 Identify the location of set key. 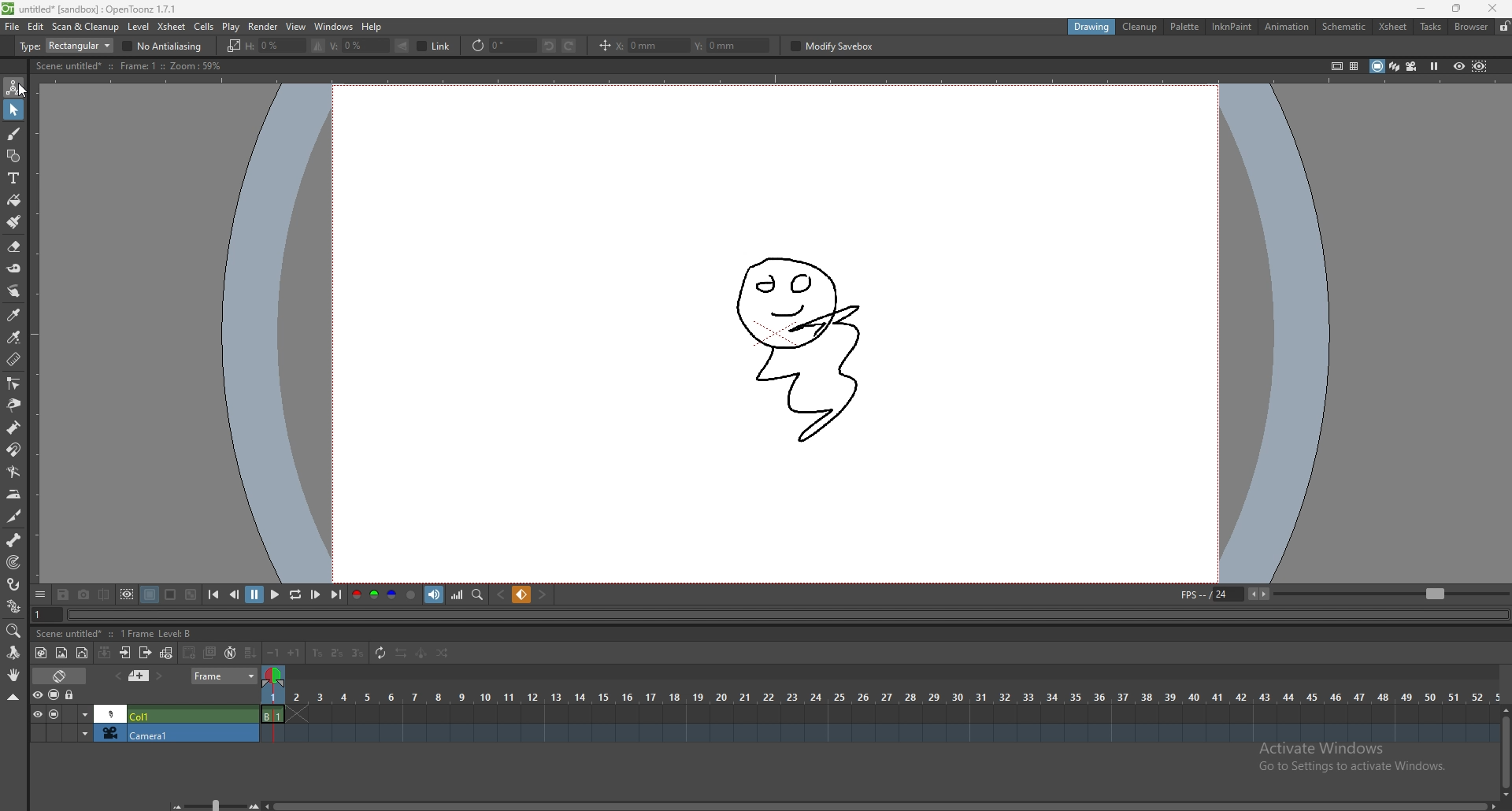
(523, 594).